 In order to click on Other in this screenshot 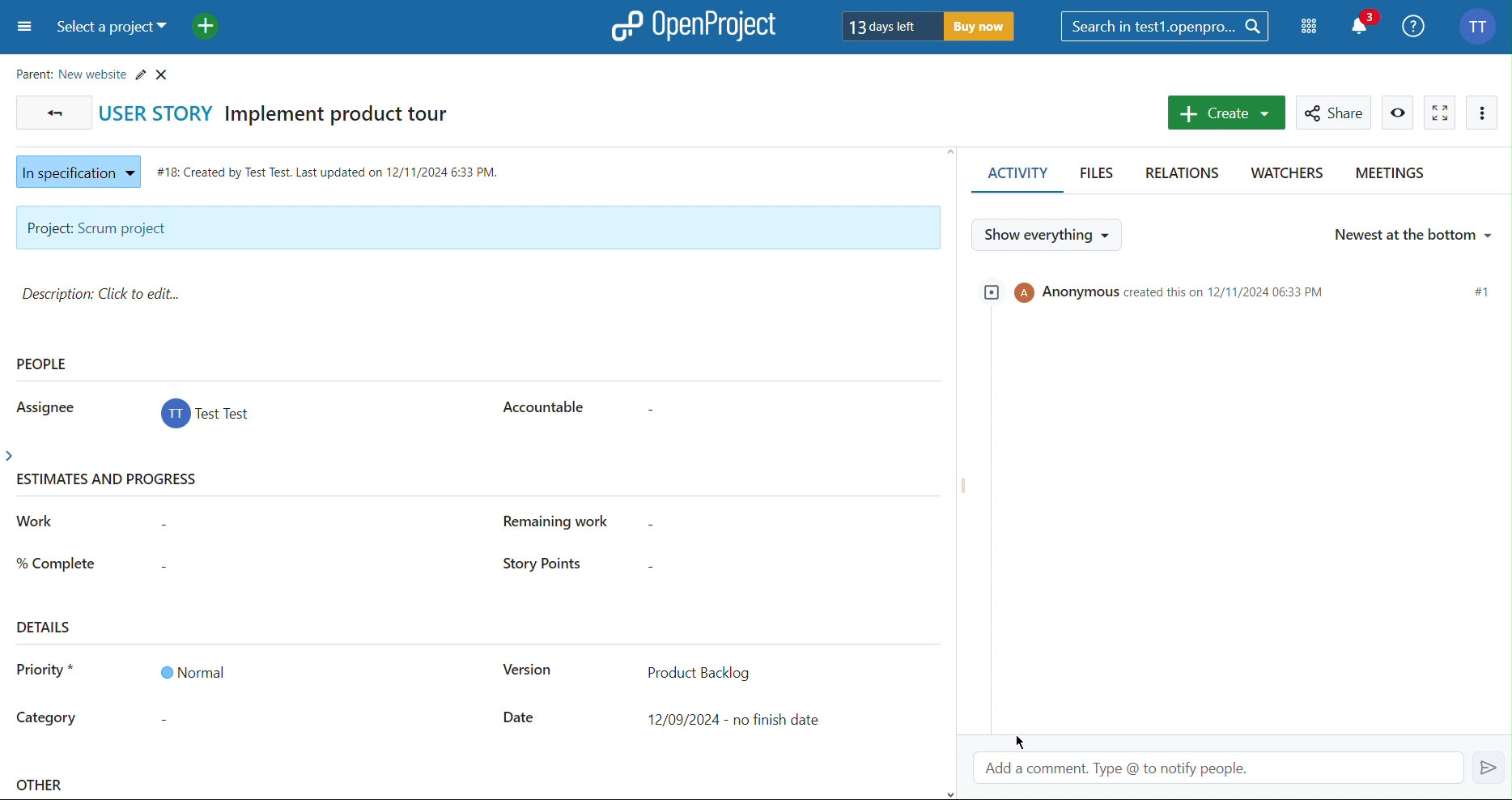, I will do `click(42, 787)`.